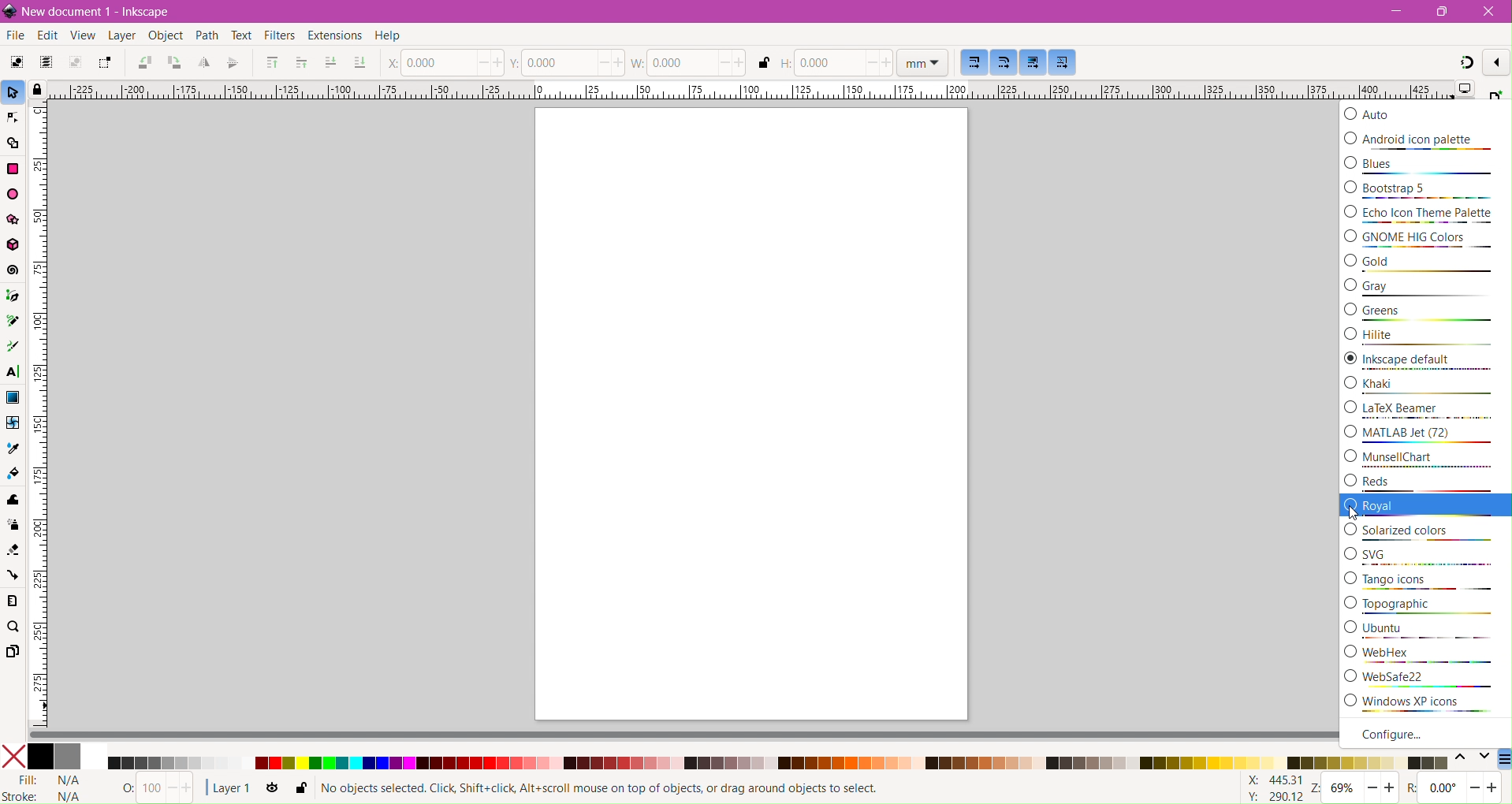 This screenshot has height=804, width=1512. What do you see at coordinates (1425, 631) in the screenshot?
I see `Ubuntu` at bounding box center [1425, 631].